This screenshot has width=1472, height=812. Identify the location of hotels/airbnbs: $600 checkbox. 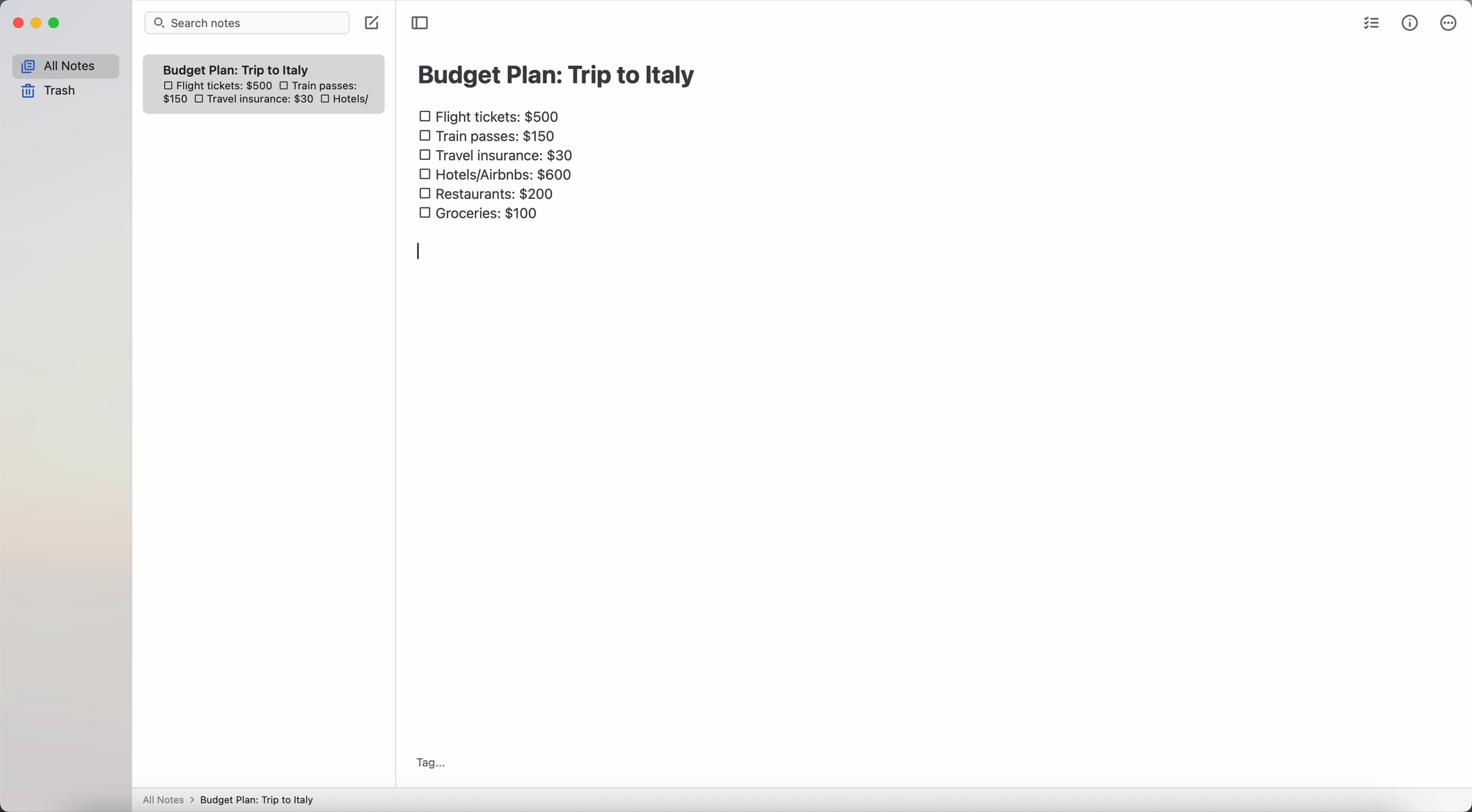
(501, 172).